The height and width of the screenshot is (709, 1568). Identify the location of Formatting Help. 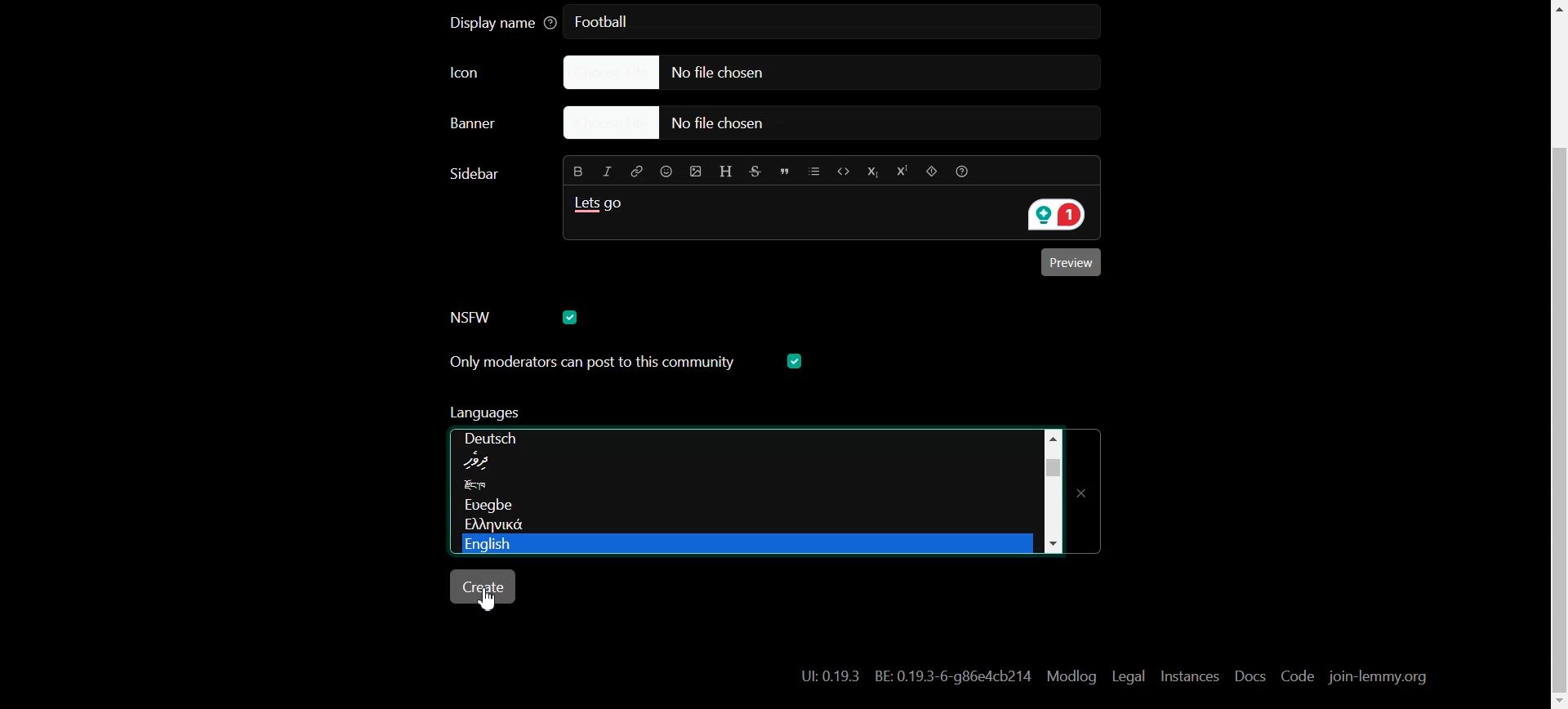
(967, 171).